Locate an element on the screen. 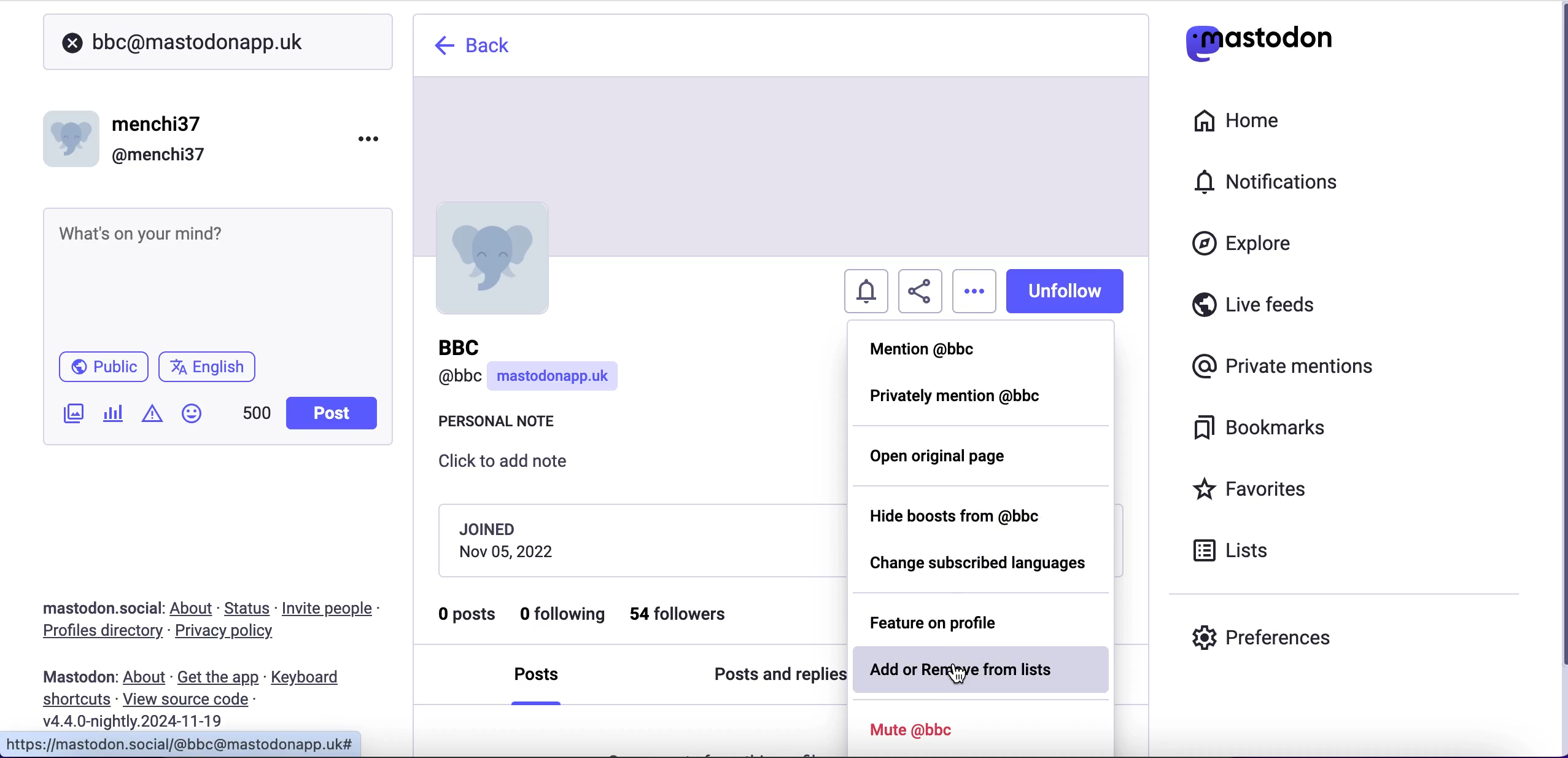  close is located at coordinates (72, 44).